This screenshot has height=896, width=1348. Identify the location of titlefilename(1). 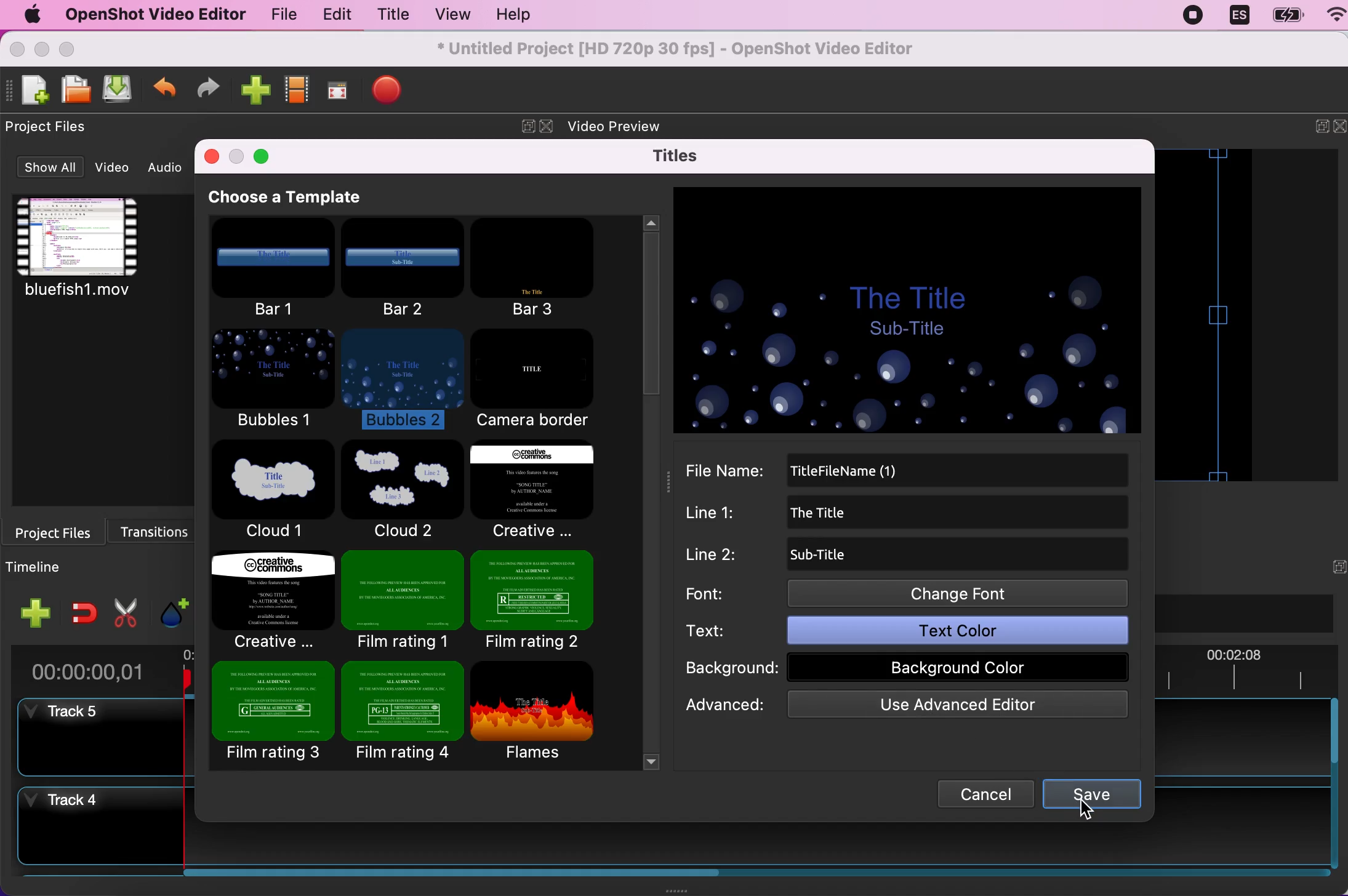
(928, 470).